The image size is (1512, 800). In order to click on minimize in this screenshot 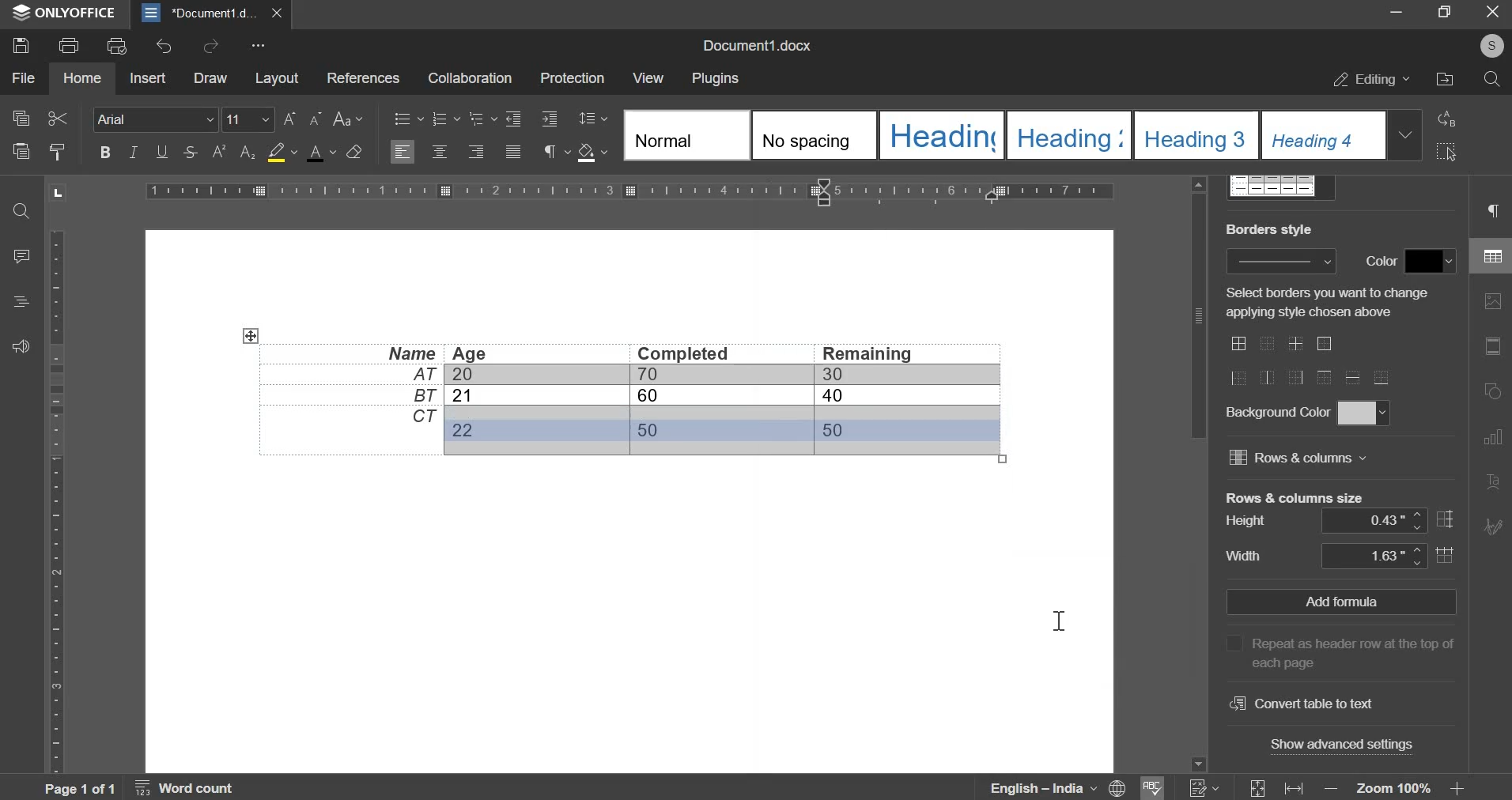, I will do `click(1399, 12)`.